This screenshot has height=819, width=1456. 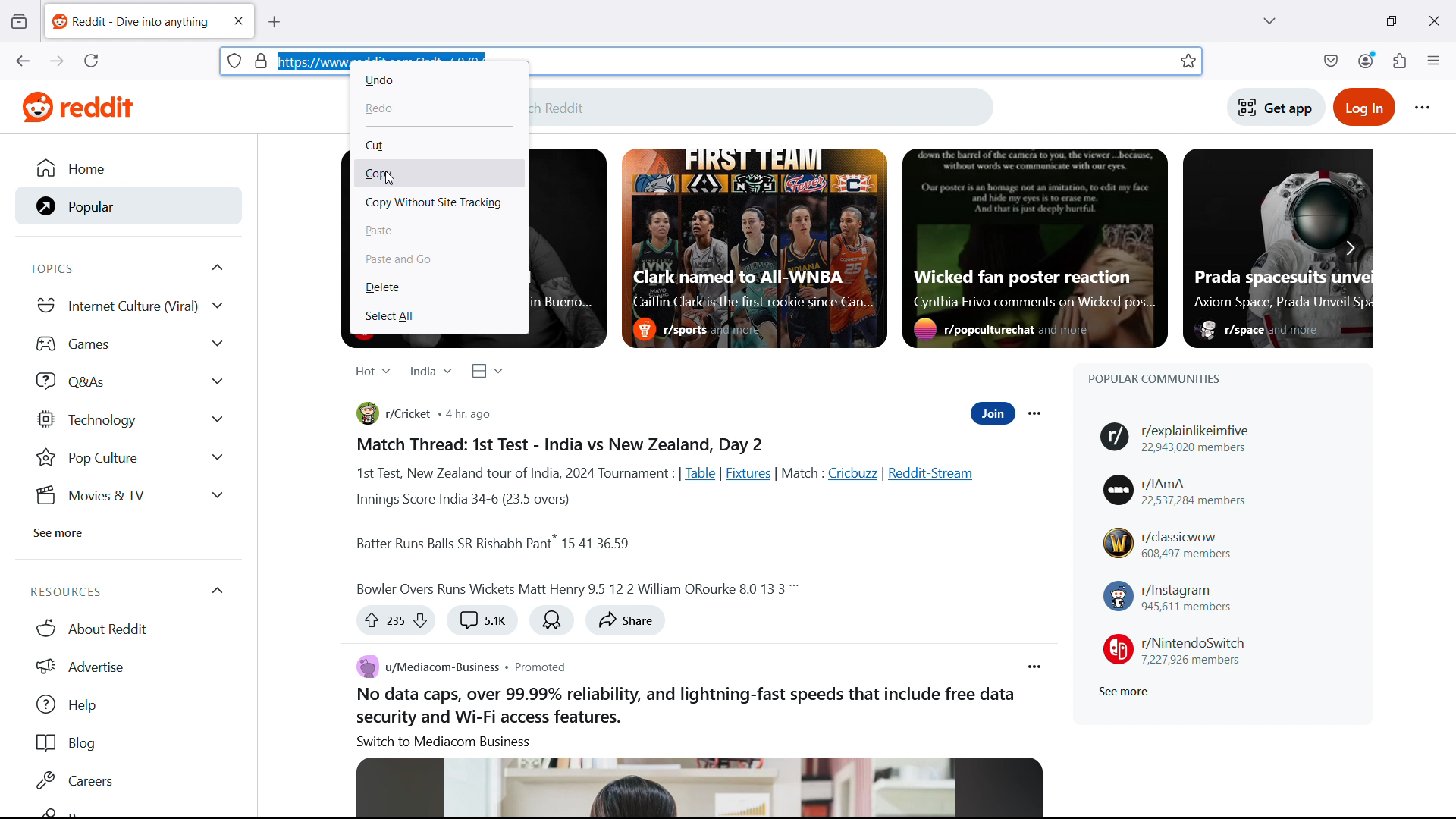 I want to click on r/classicwow, so click(x=1169, y=544).